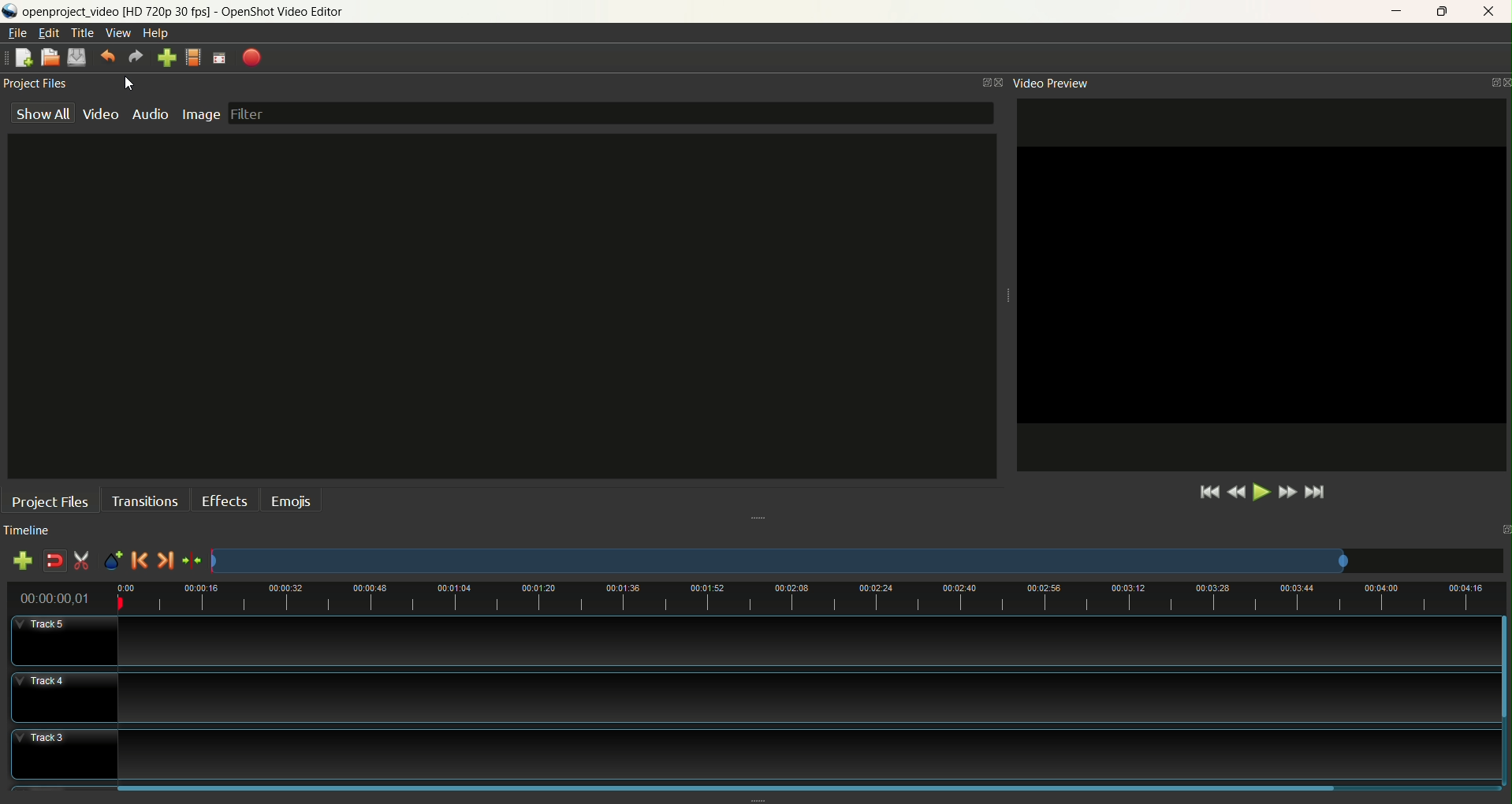 This screenshot has height=804, width=1512. What do you see at coordinates (754, 637) in the screenshot?
I see `track5` at bounding box center [754, 637].